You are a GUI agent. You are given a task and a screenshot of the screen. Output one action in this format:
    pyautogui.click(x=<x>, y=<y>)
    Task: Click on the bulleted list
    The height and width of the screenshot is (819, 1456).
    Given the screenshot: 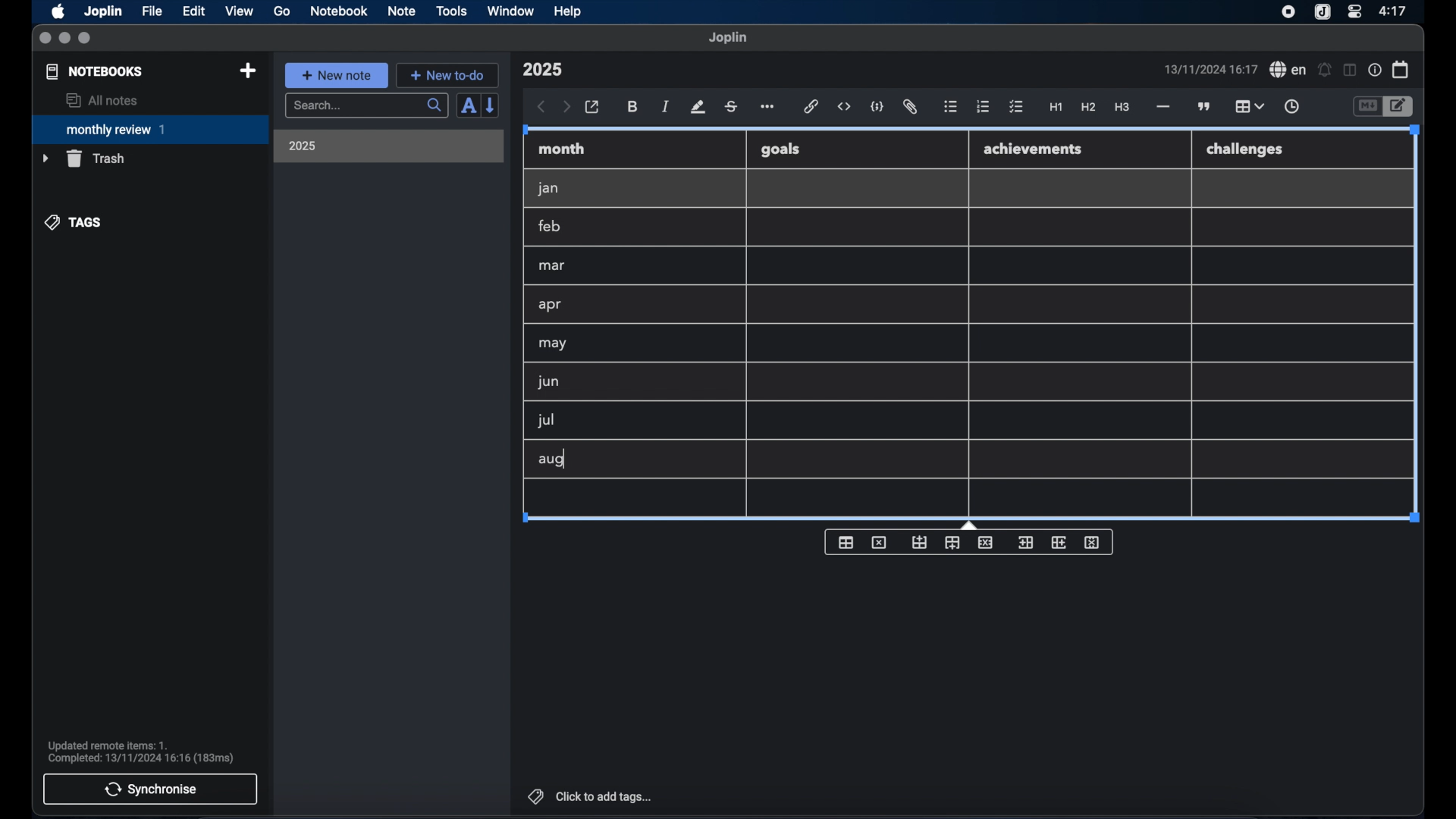 What is the action you would take?
    pyautogui.click(x=950, y=107)
    